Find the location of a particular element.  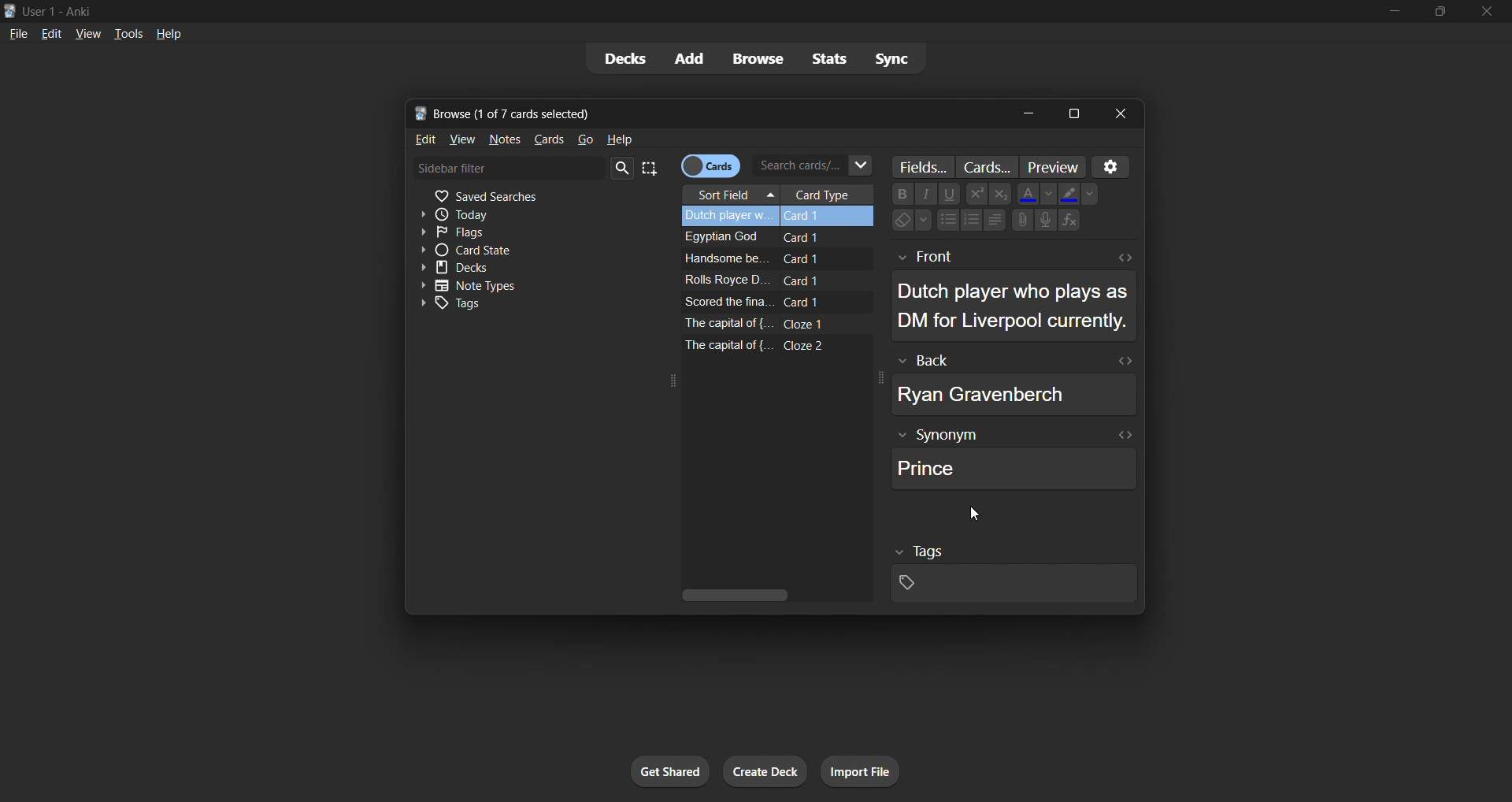

selected card front data is located at coordinates (1011, 294).